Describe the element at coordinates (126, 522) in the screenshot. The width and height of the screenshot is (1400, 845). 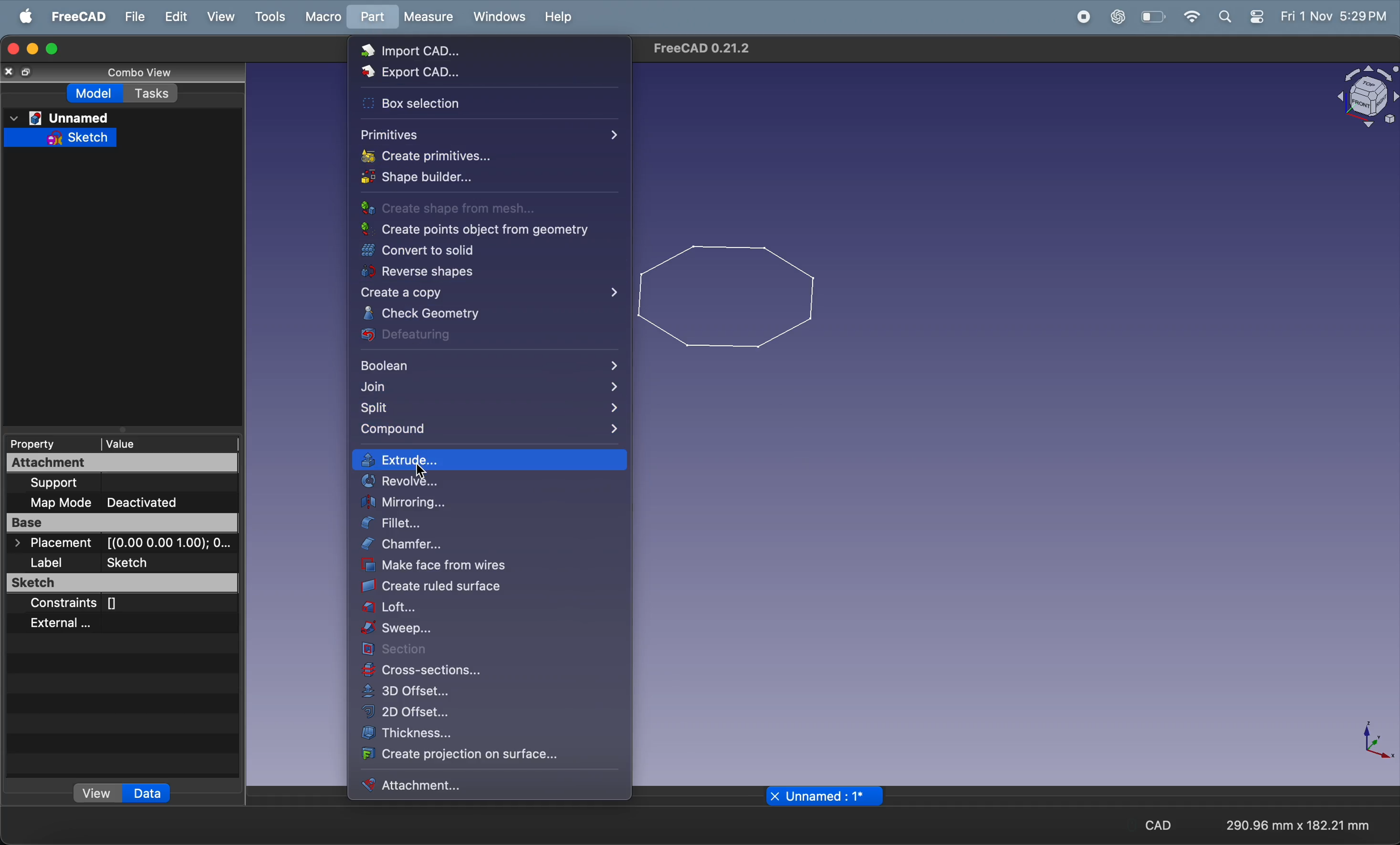
I see `base` at that location.